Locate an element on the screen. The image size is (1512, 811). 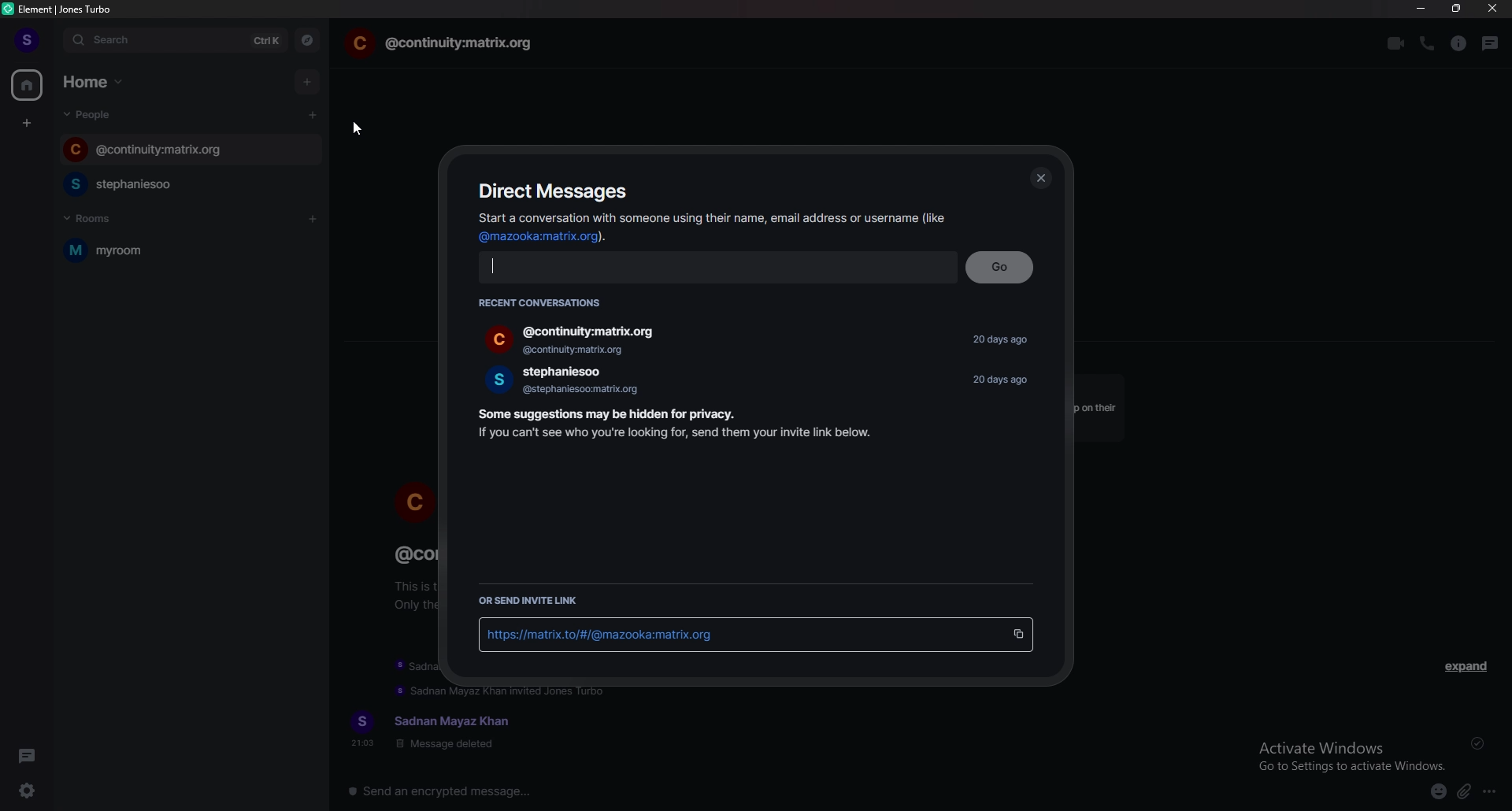
text is located at coordinates (435, 731).